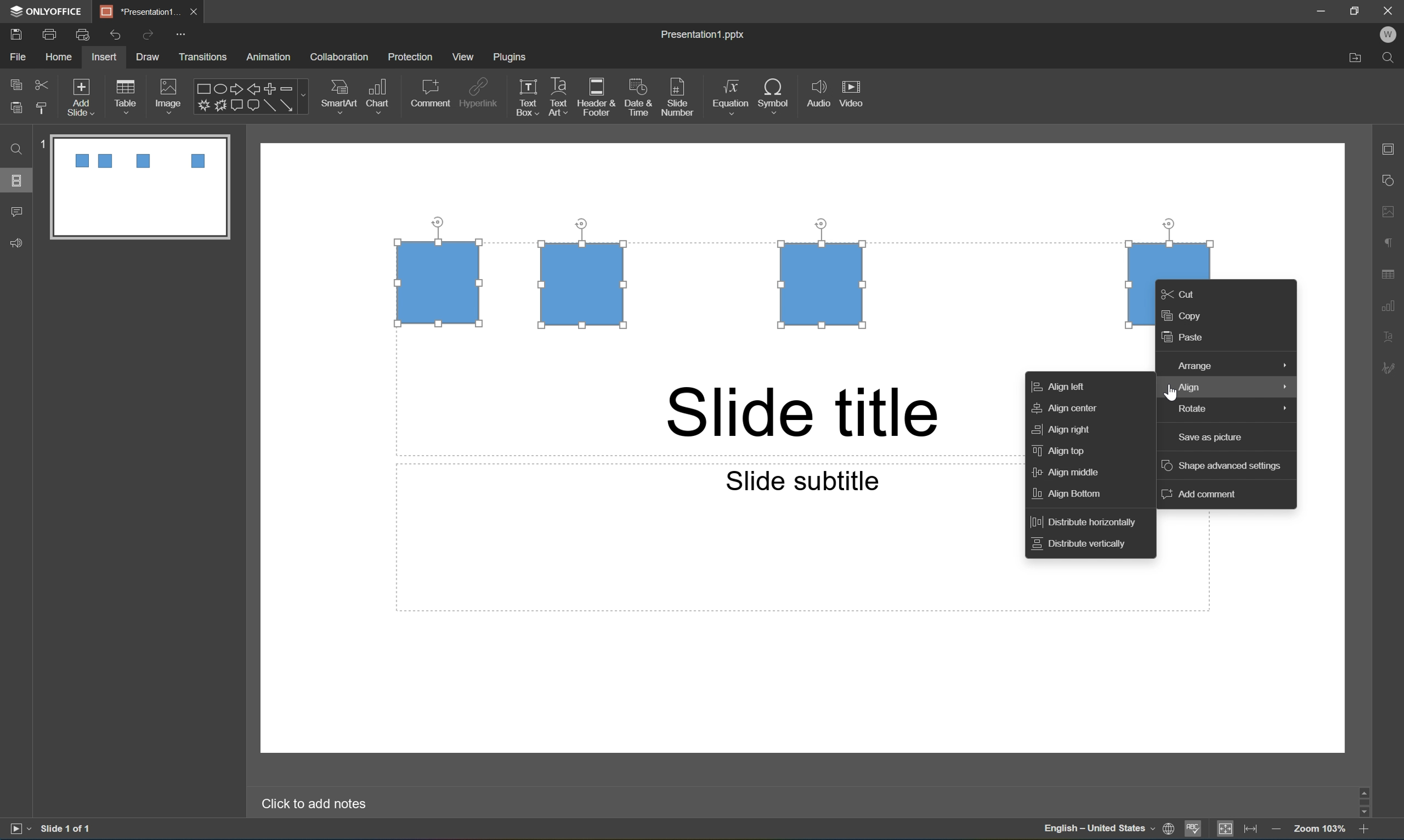 The height and width of the screenshot is (840, 1404). Describe the element at coordinates (42, 108) in the screenshot. I see `copy style` at that location.